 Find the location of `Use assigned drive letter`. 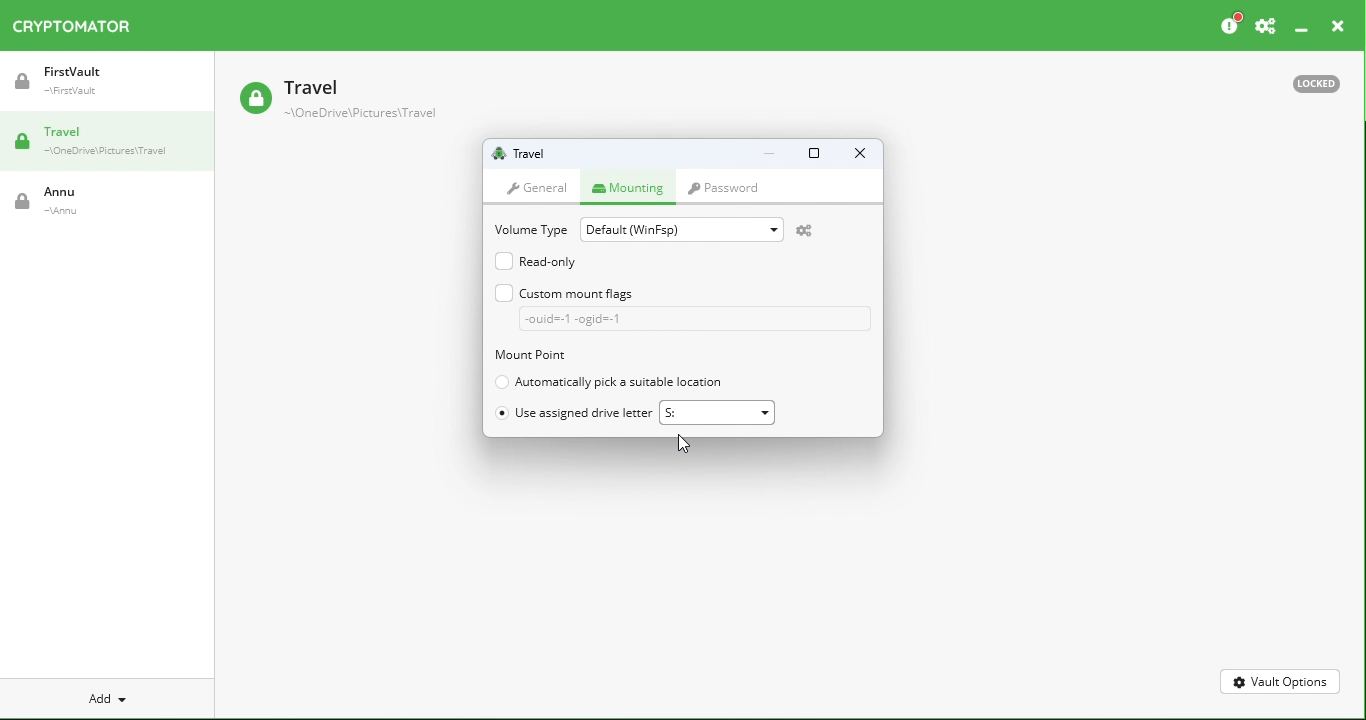

Use assigned drive letter is located at coordinates (576, 415).